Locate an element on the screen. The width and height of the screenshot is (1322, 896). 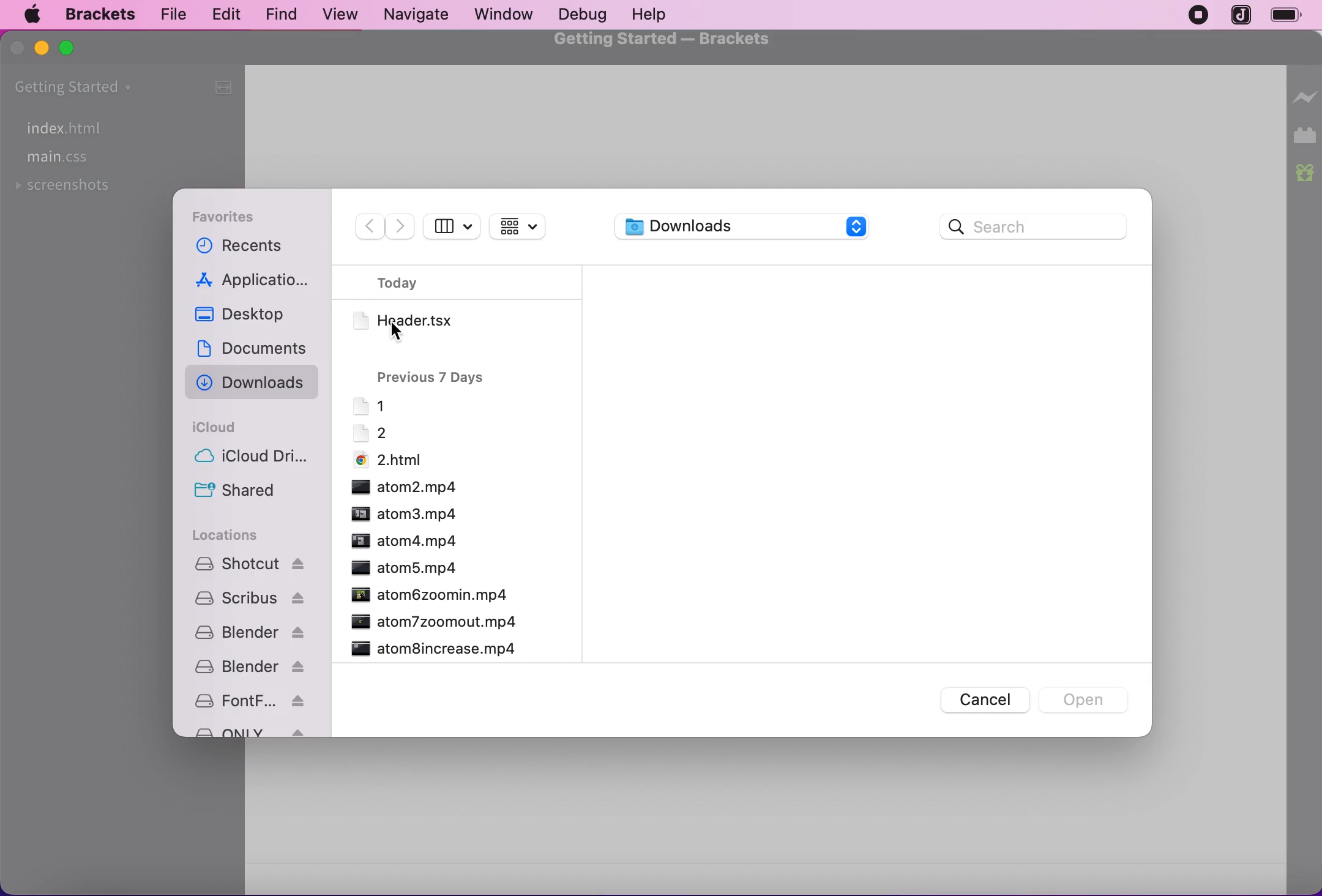
locations is located at coordinates (232, 536).